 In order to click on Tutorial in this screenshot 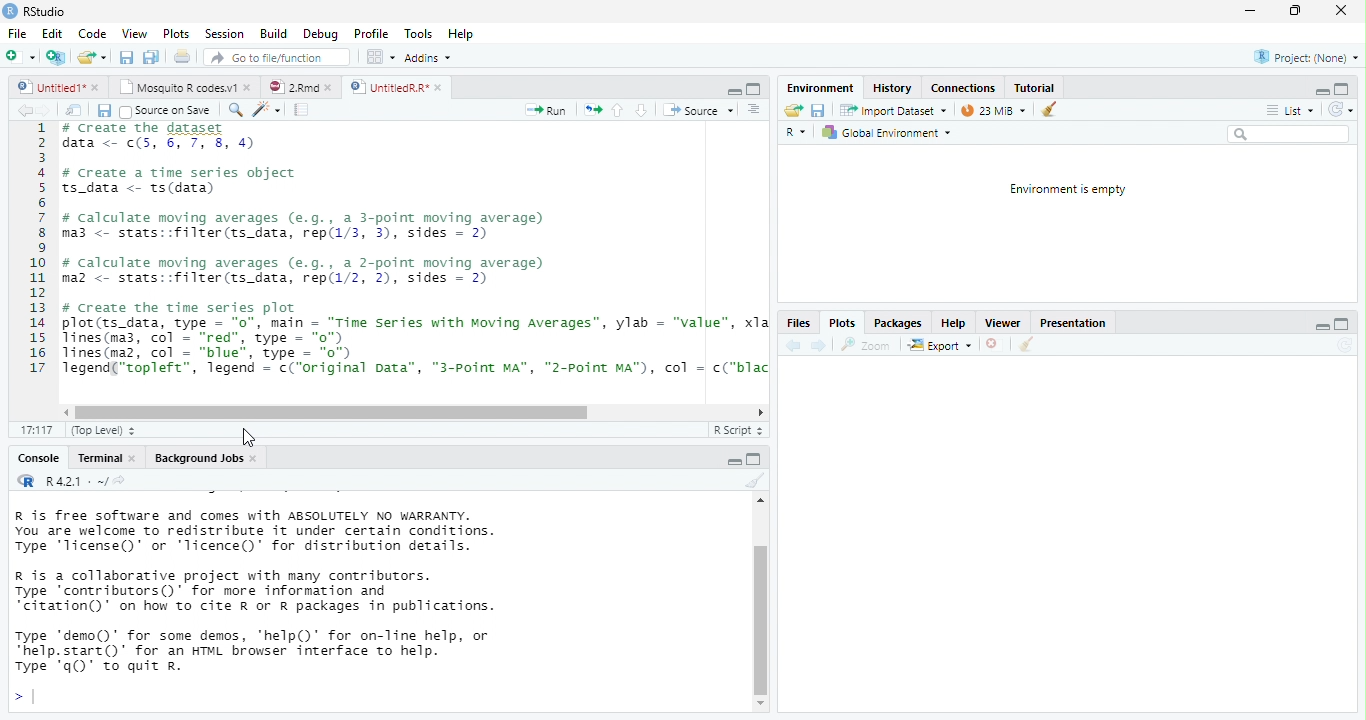, I will do `click(1035, 87)`.